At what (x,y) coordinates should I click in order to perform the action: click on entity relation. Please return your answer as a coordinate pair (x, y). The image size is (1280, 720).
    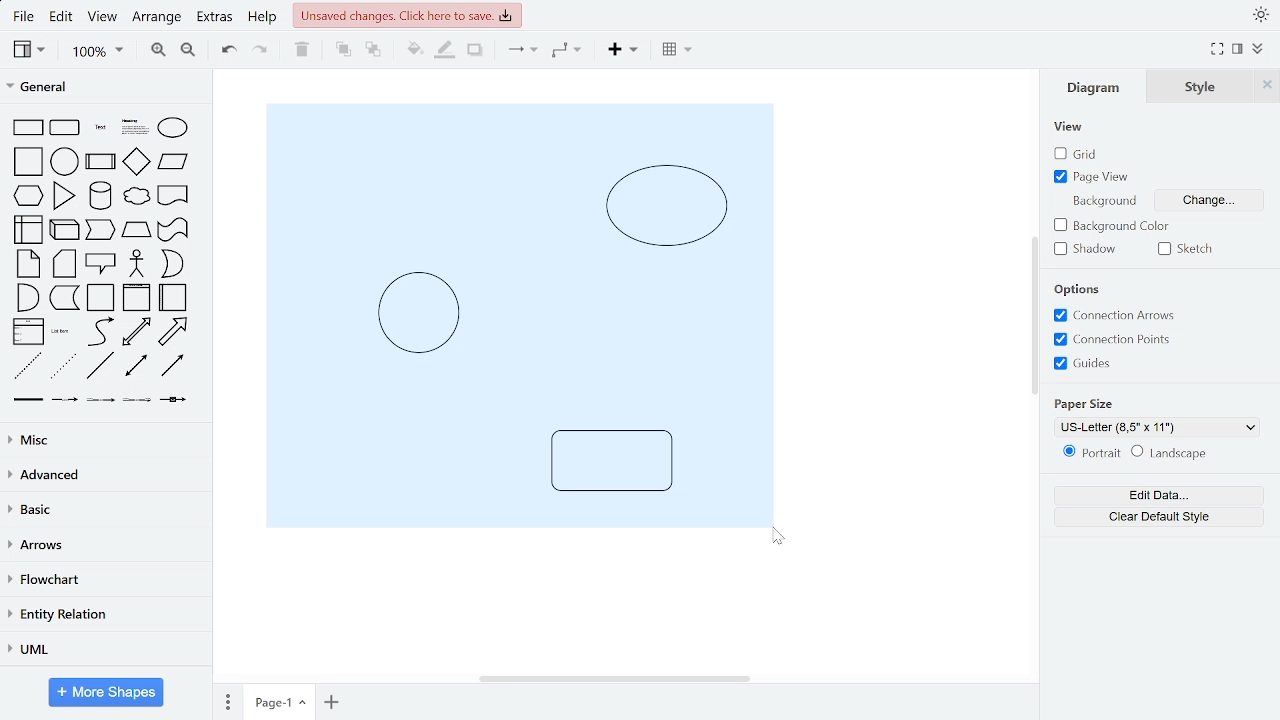
    Looking at the image, I should click on (102, 614).